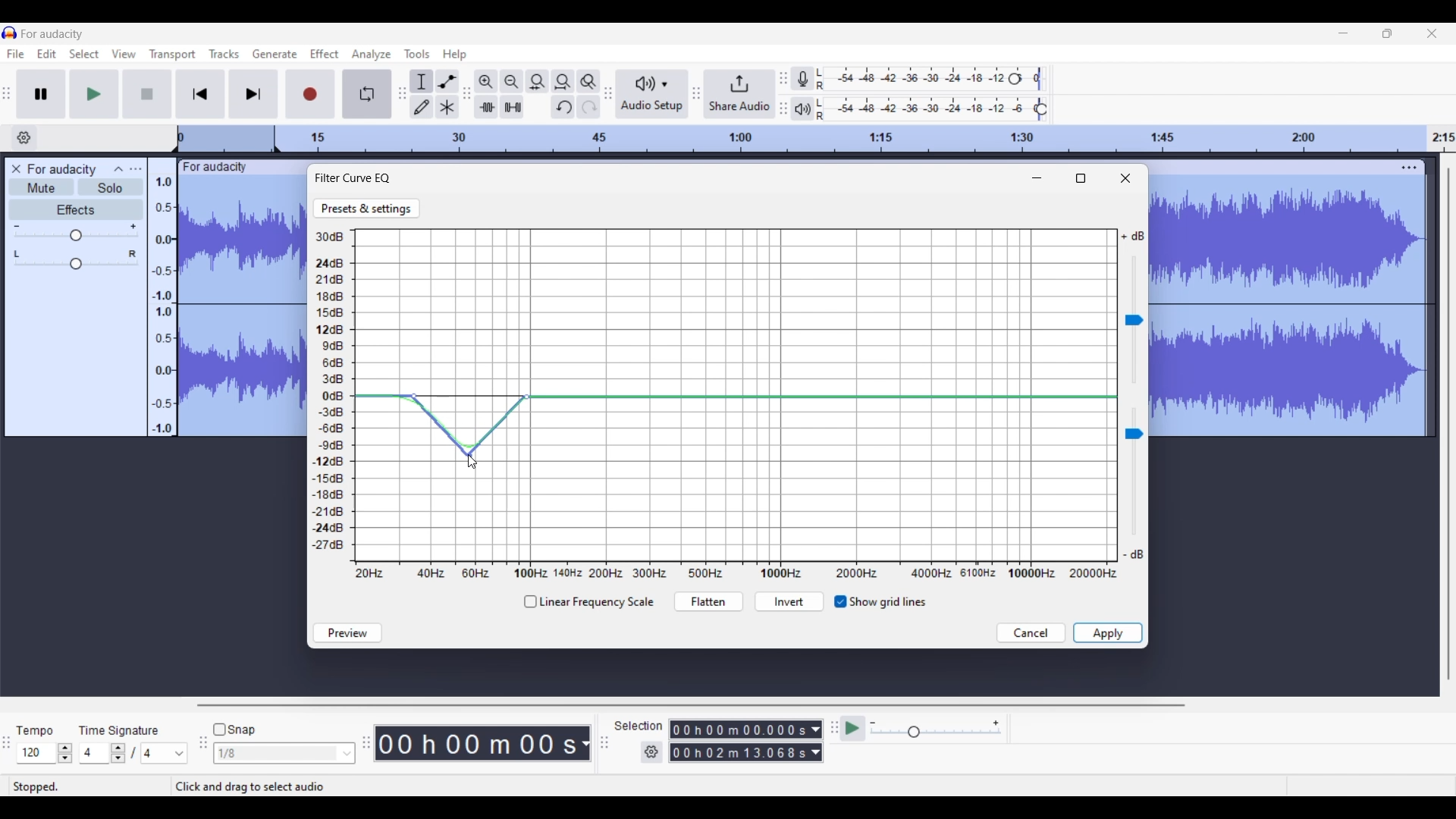 The width and height of the screenshot is (1456, 819). I want to click on Tempo, so click(36, 729).